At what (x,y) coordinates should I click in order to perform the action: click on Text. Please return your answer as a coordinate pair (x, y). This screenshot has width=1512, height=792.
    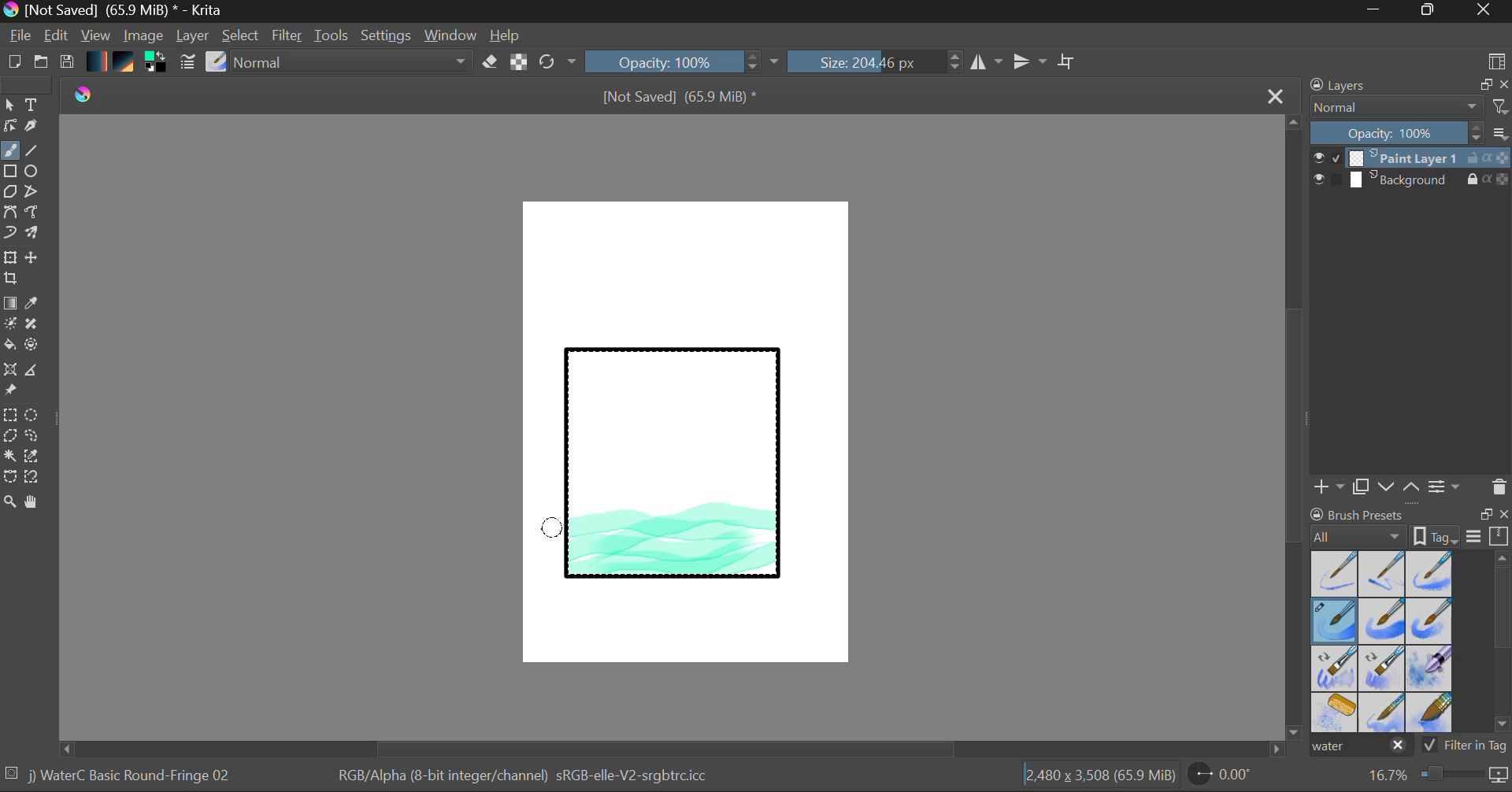
    Looking at the image, I should click on (32, 103).